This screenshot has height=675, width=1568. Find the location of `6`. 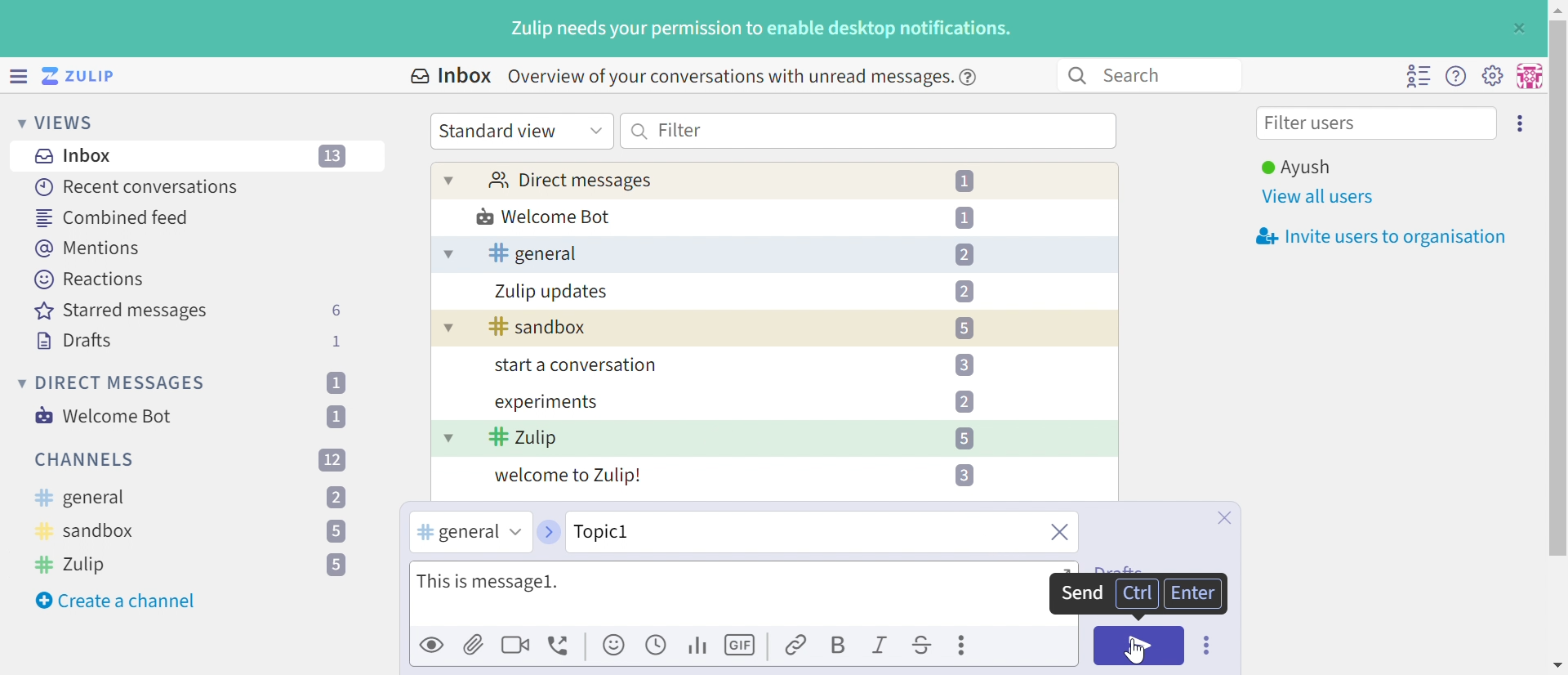

6 is located at coordinates (336, 311).